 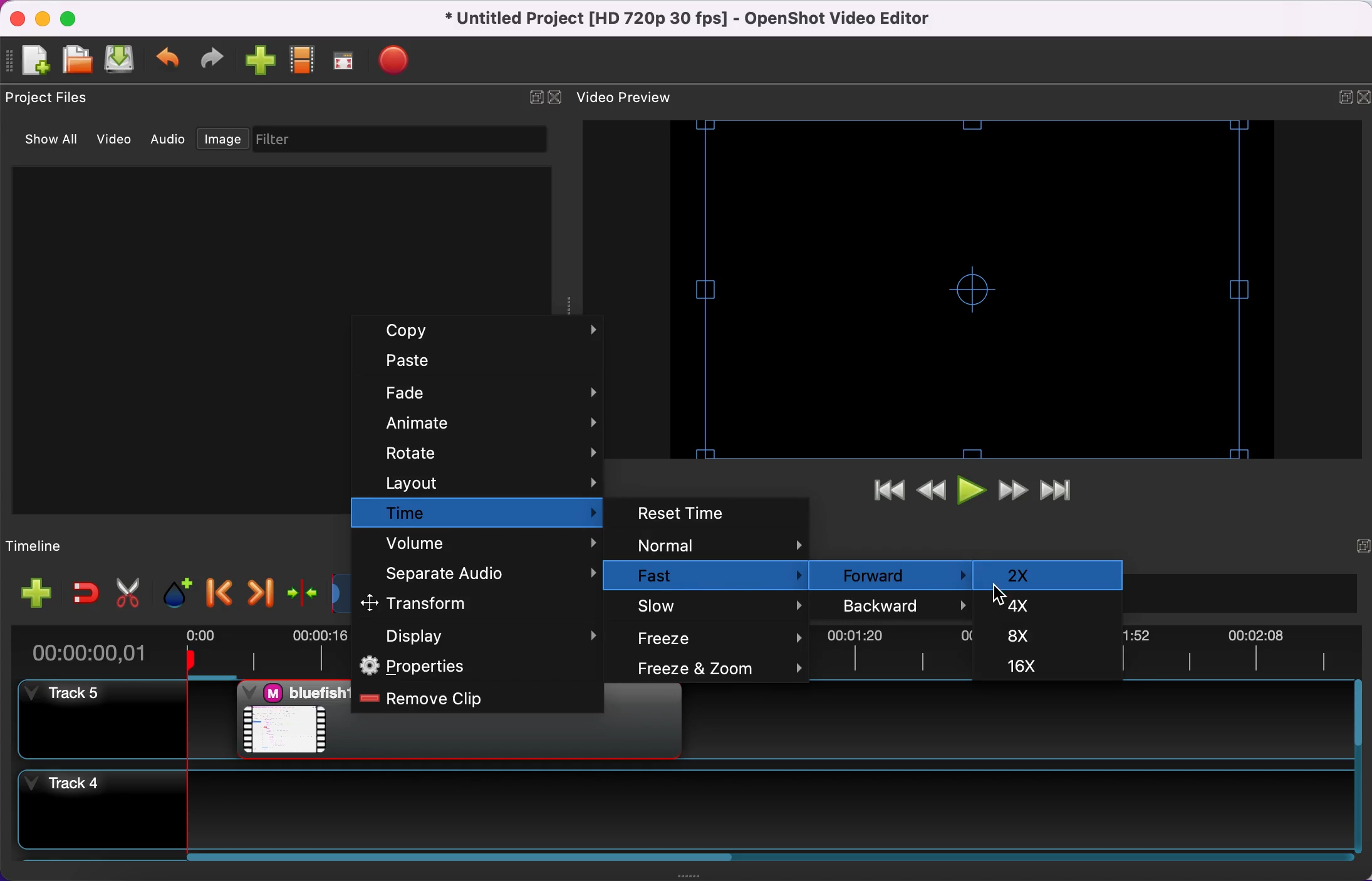 I want to click on video, so click(x=117, y=141).